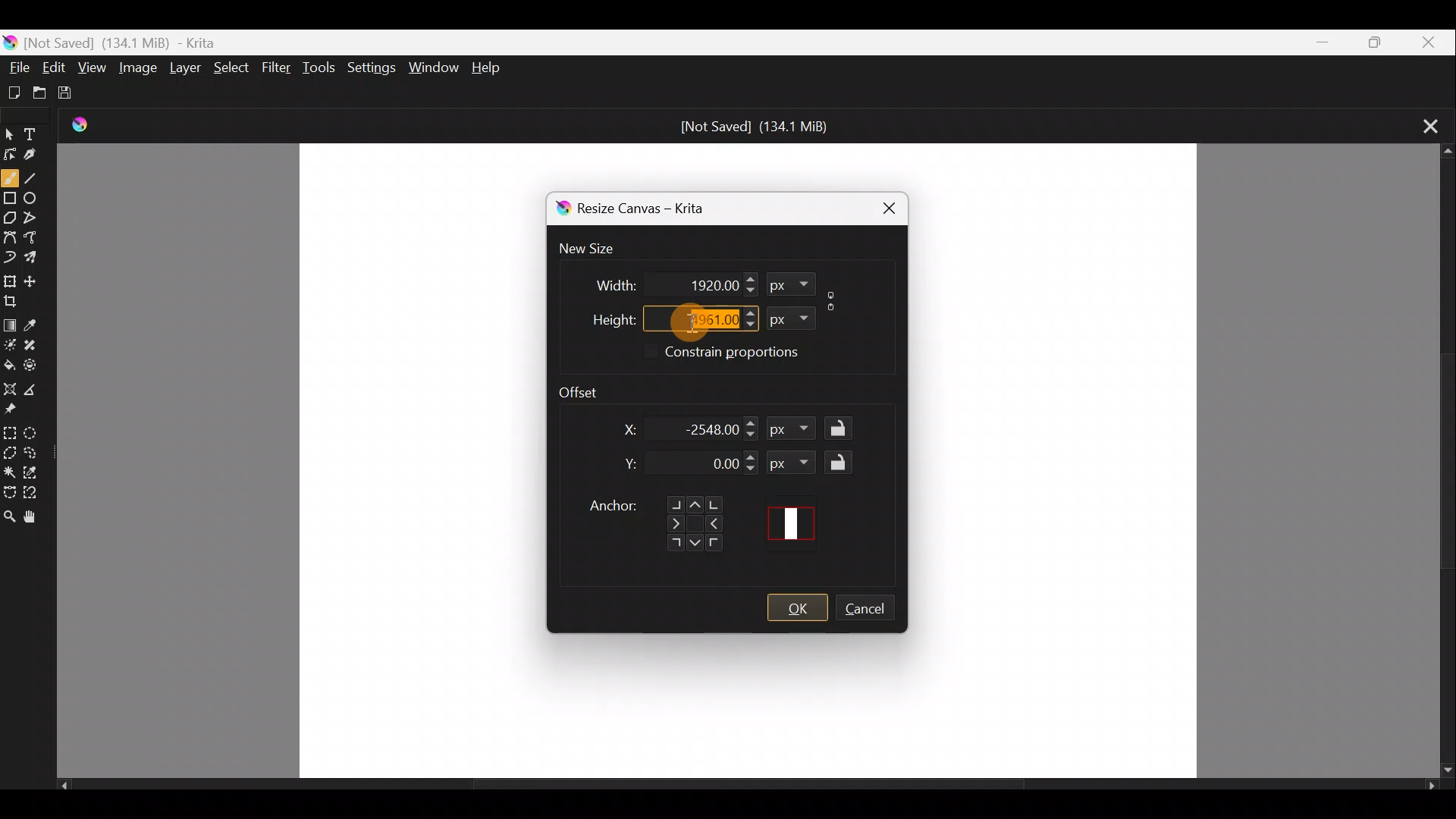 Image resolution: width=1456 pixels, height=819 pixels. What do you see at coordinates (35, 391) in the screenshot?
I see `Measure the distance between two points` at bounding box center [35, 391].